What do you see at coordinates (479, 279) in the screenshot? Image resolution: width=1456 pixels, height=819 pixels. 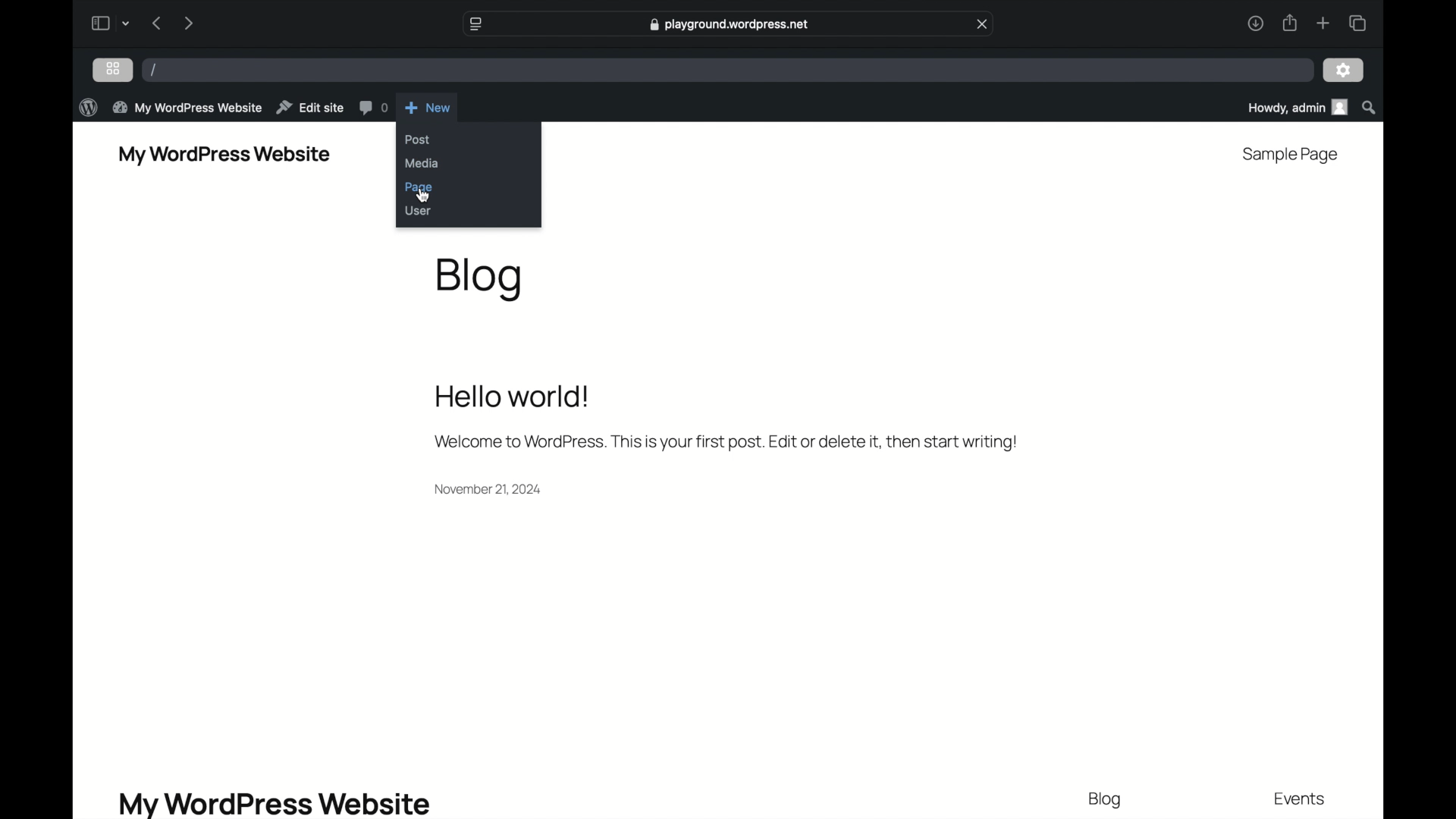 I see `blog` at bounding box center [479, 279].